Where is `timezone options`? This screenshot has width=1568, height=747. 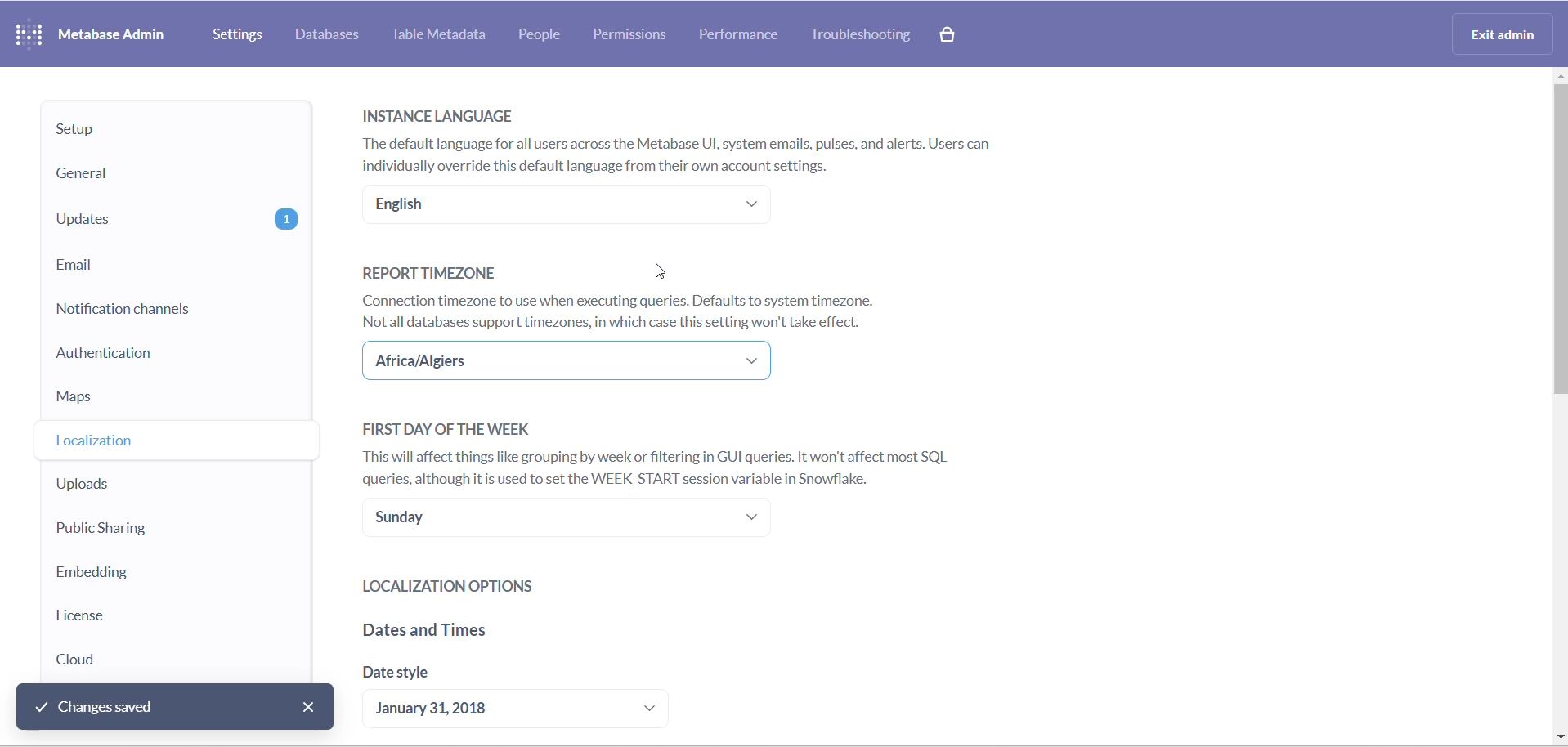
timezone options is located at coordinates (575, 362).